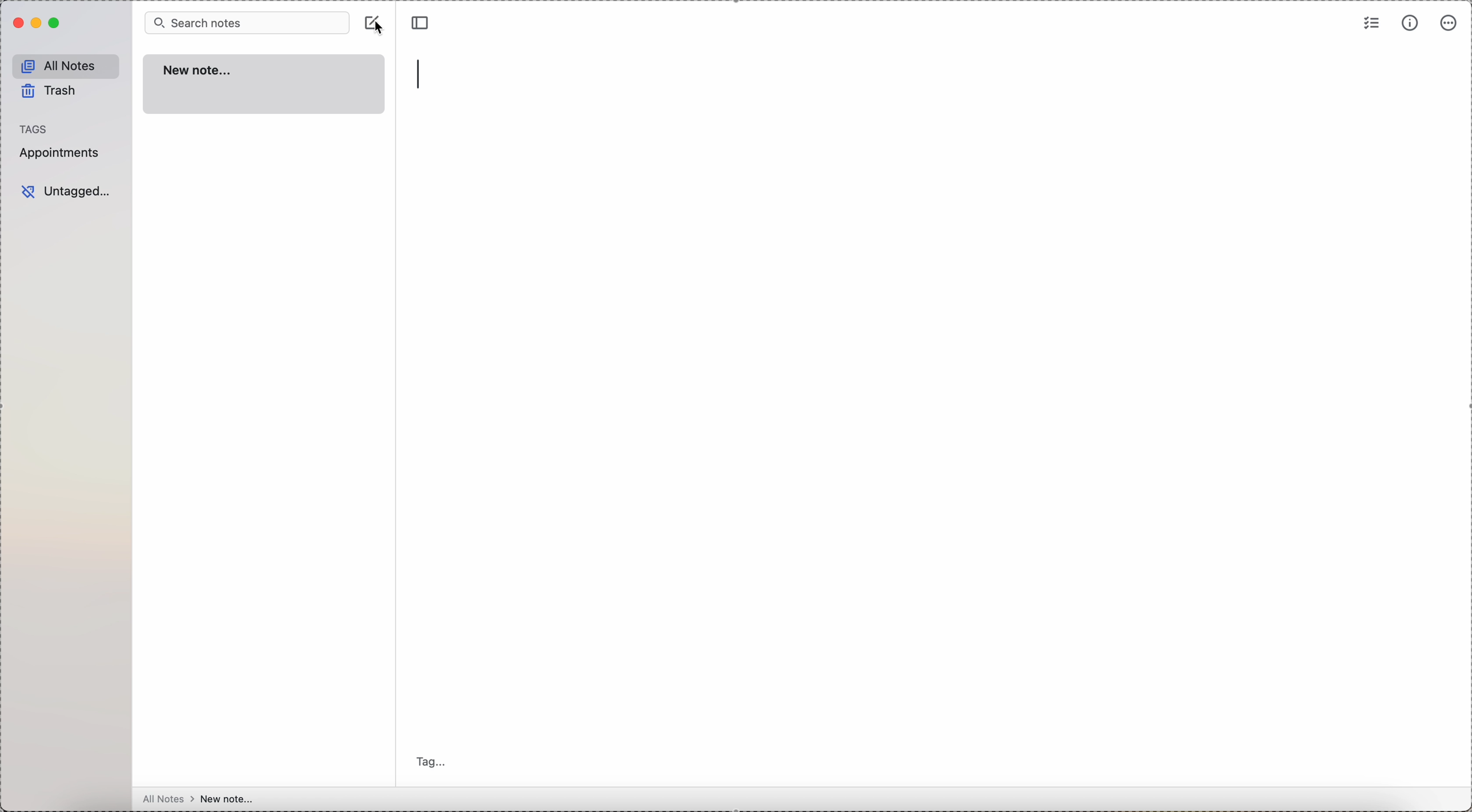 The width and height of the screenshot is (1472, 812). What do you see at coordinates (35, 127) in the screenshot?
I see `tags` at bounding box center [35, 127].